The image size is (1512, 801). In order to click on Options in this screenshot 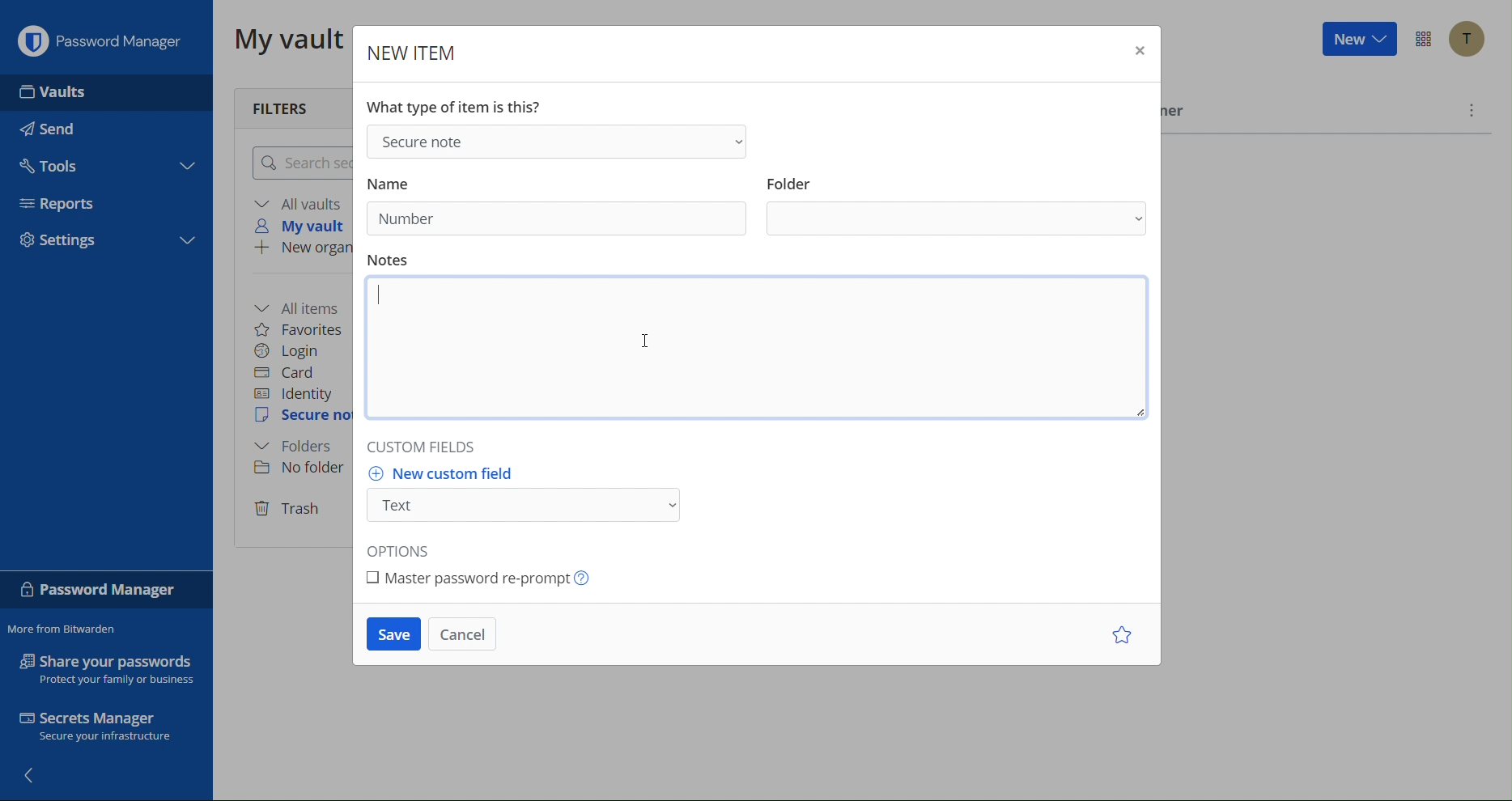, I will do `click(408, 549)`.